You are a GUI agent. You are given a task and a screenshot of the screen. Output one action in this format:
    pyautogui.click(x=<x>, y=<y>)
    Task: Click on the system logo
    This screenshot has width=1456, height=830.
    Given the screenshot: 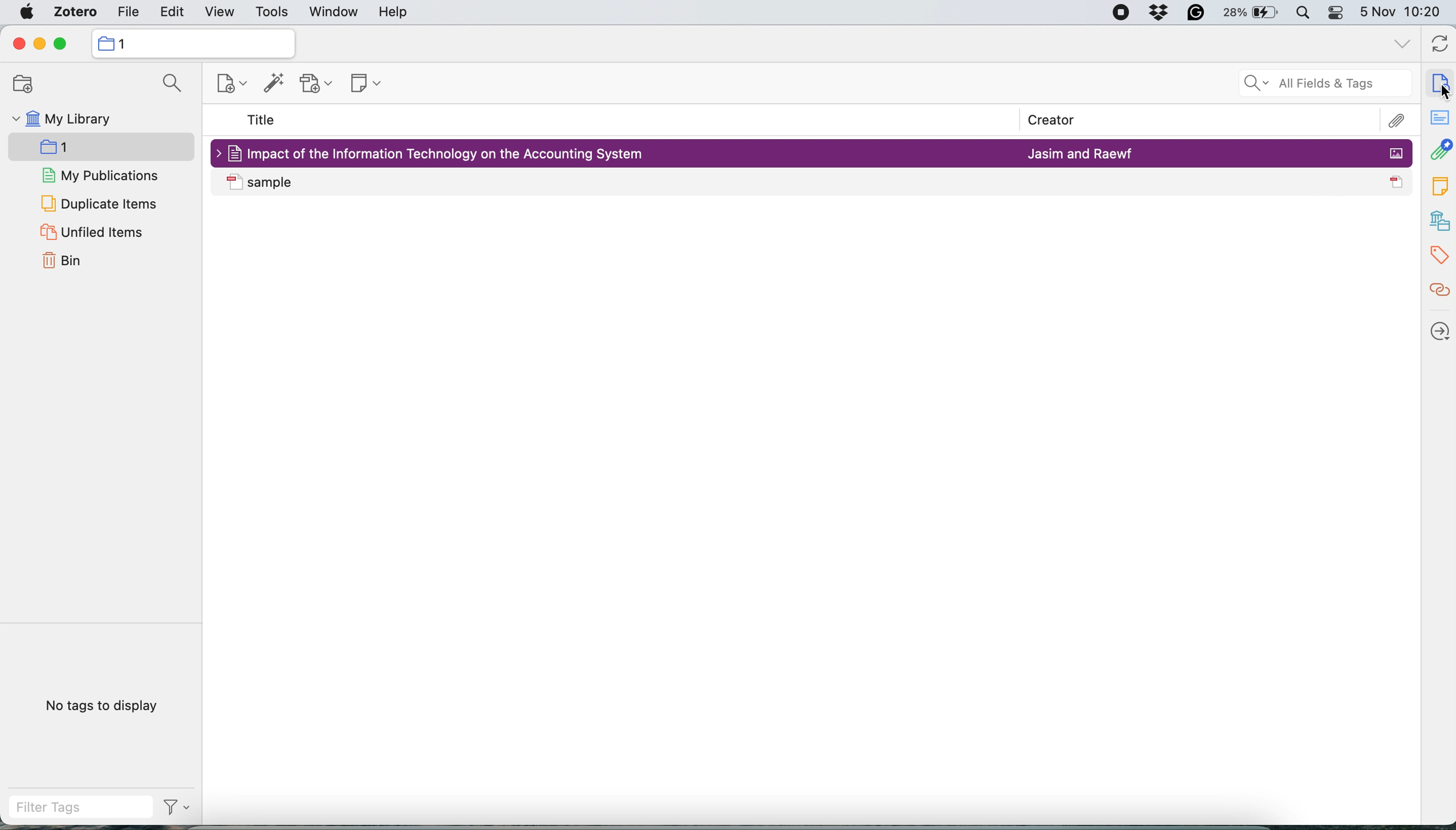 What is the action you would take?
    pyautogui.click(x=25, y=13)
    